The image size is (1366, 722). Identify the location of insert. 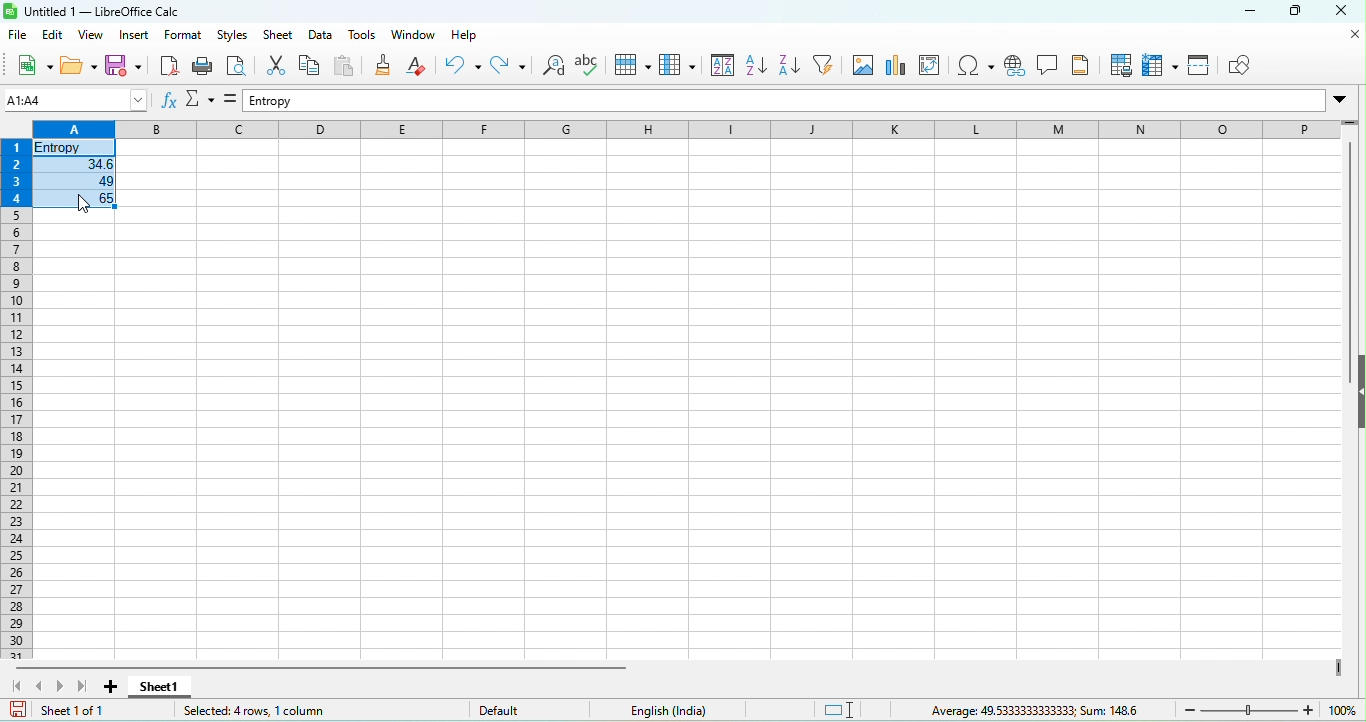
(135, 37).